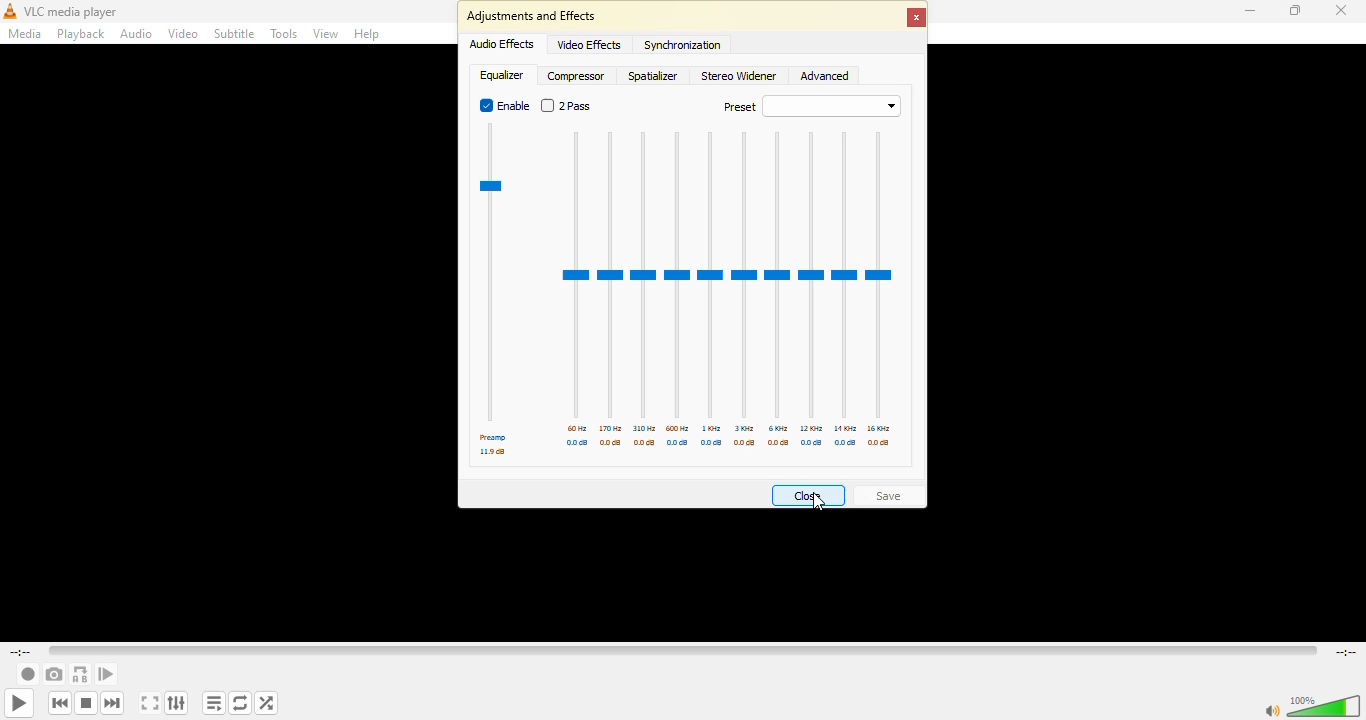 Image resolution: width=1366 pixels, height=720 pixels. I want to click on random, so click(267, 700).